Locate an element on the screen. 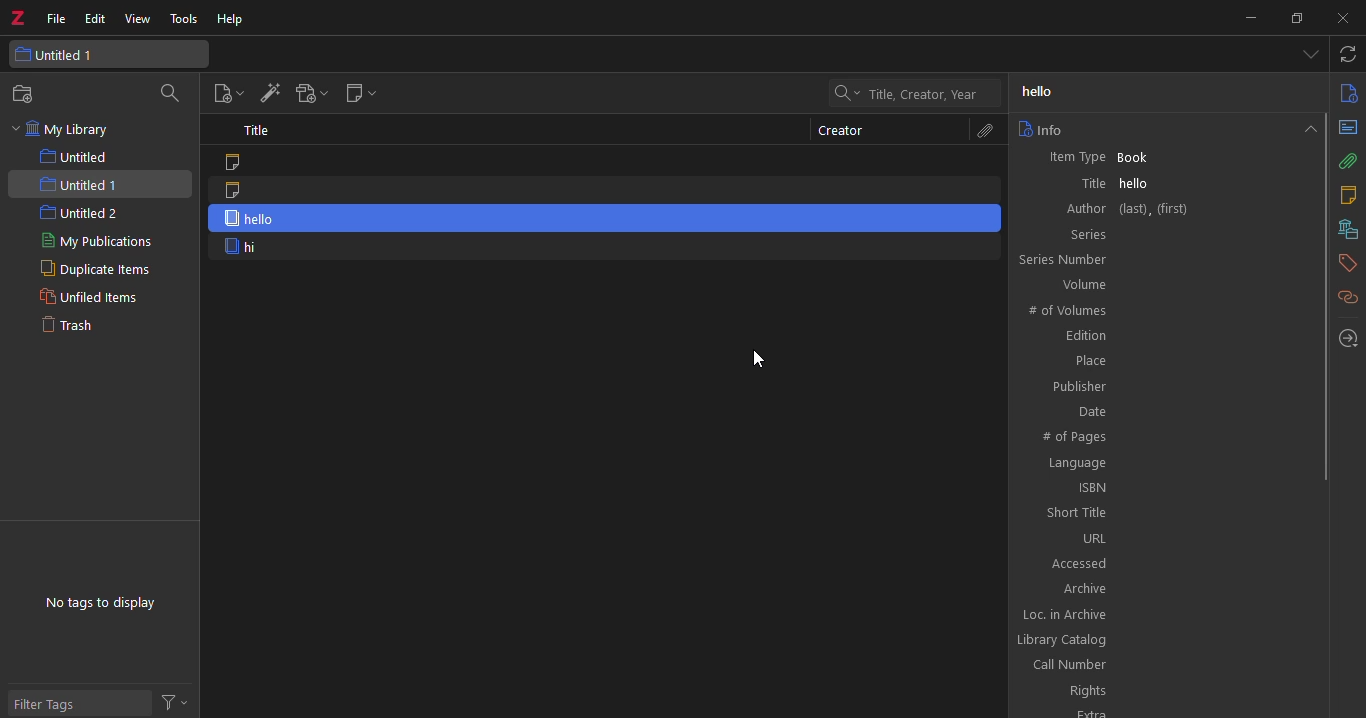 This screenshot has height=718, width=1366. info is located at coordinates (1348, 92).